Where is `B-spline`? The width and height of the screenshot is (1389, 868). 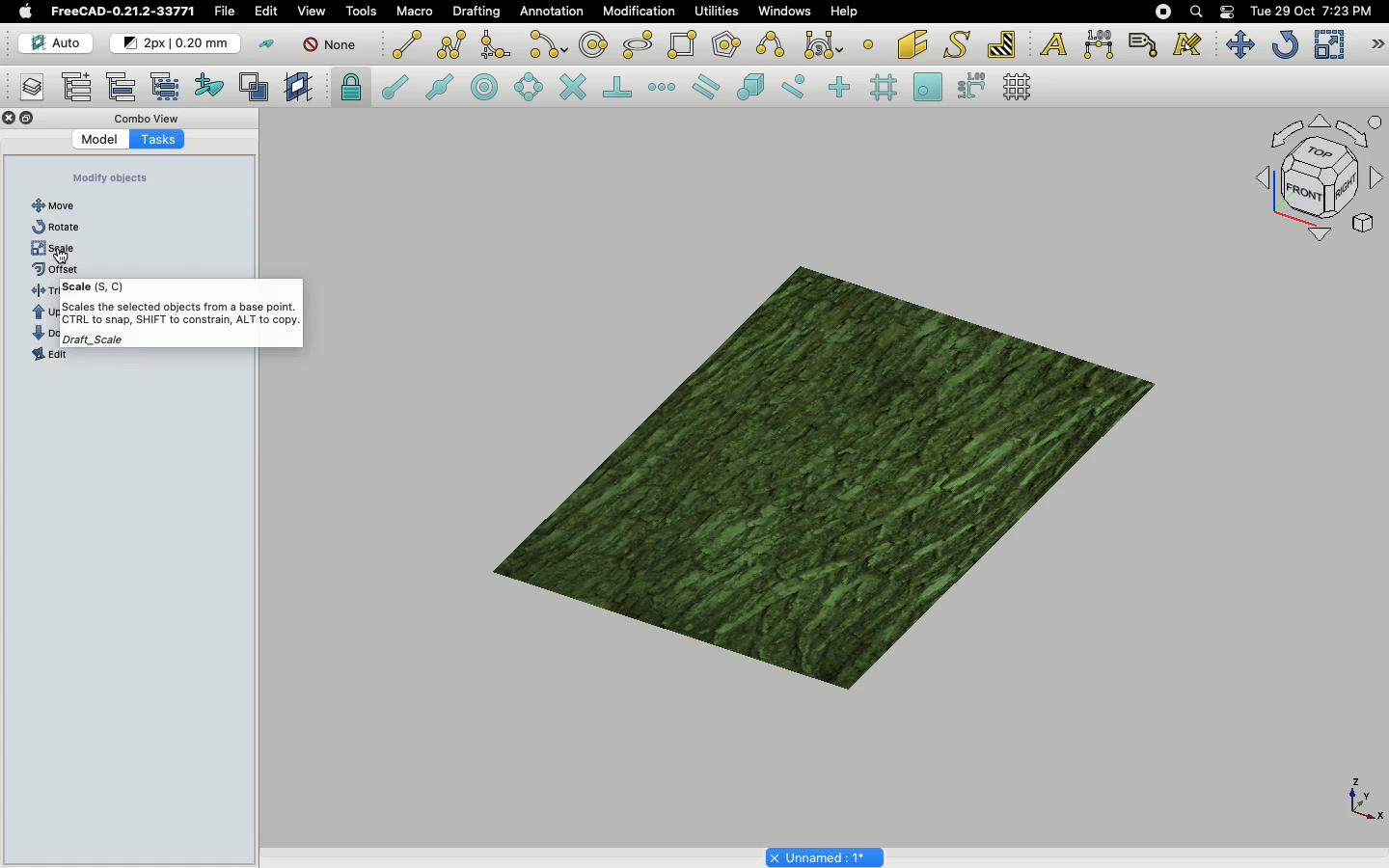 B-spline is located at coordinates (770, 44).